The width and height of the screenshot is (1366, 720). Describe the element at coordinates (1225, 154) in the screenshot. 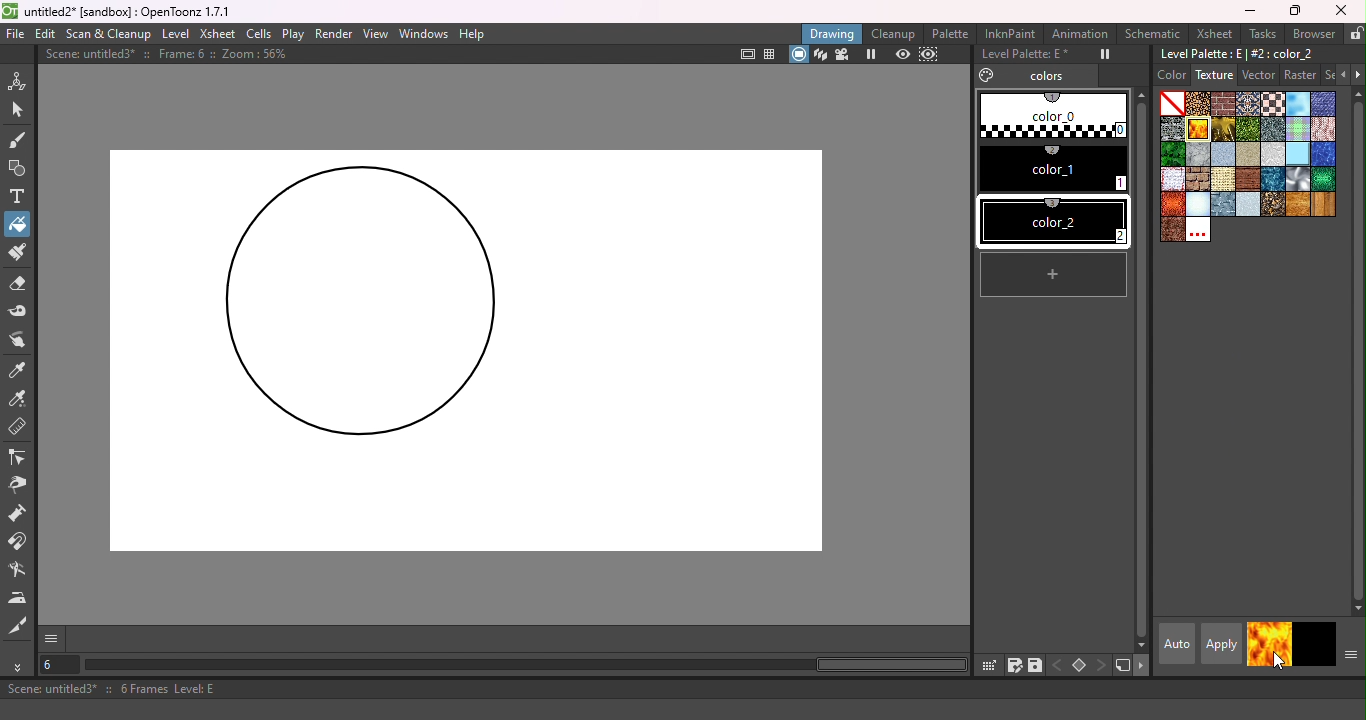

I see `paper 1.bmp` at that location.